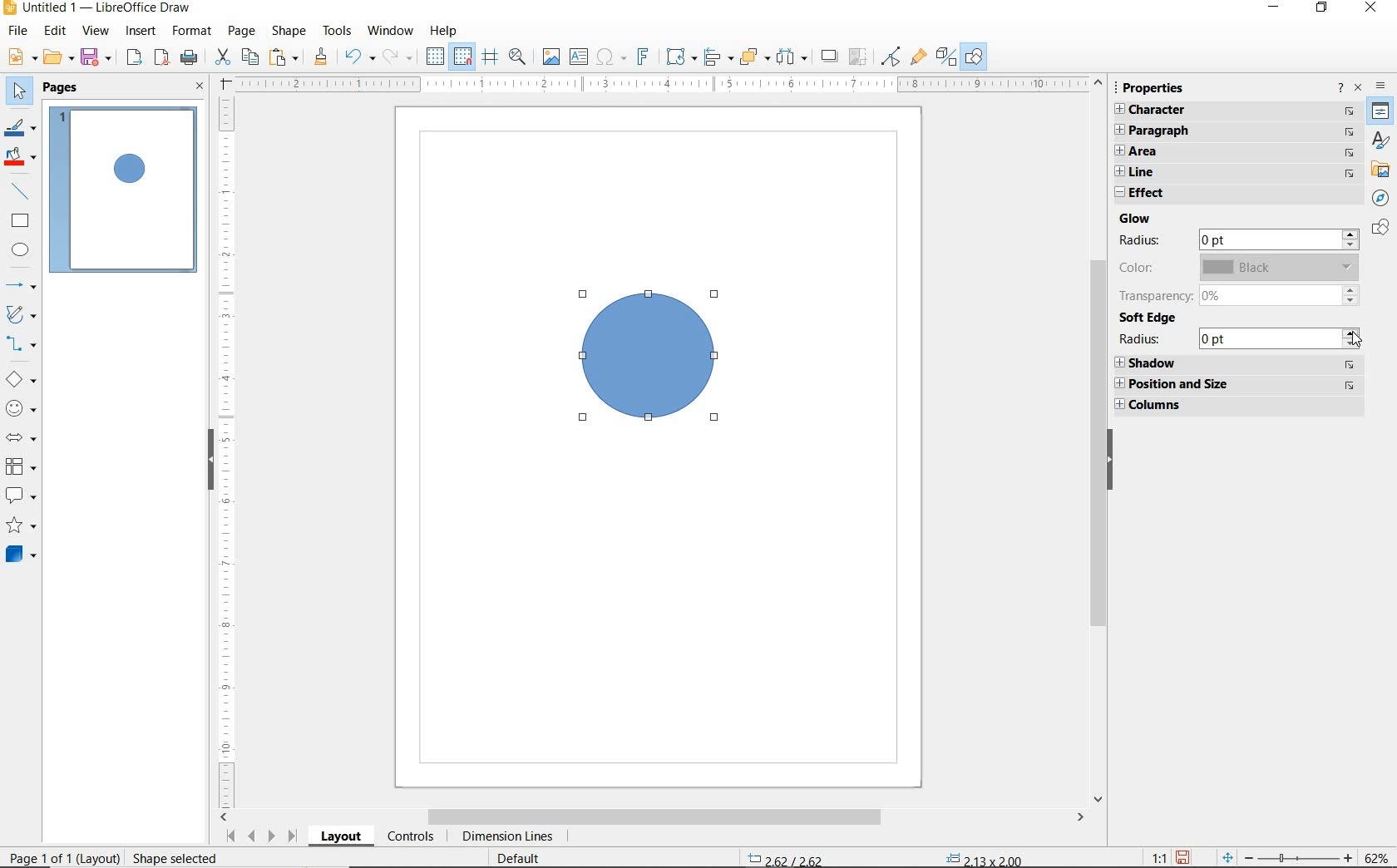 Image resolution: width=1397 pixels, height=868 pixels. Describe the element at coordinates (1286, 856) in the screenshot. I see `zoom out and zoom in` at that location.